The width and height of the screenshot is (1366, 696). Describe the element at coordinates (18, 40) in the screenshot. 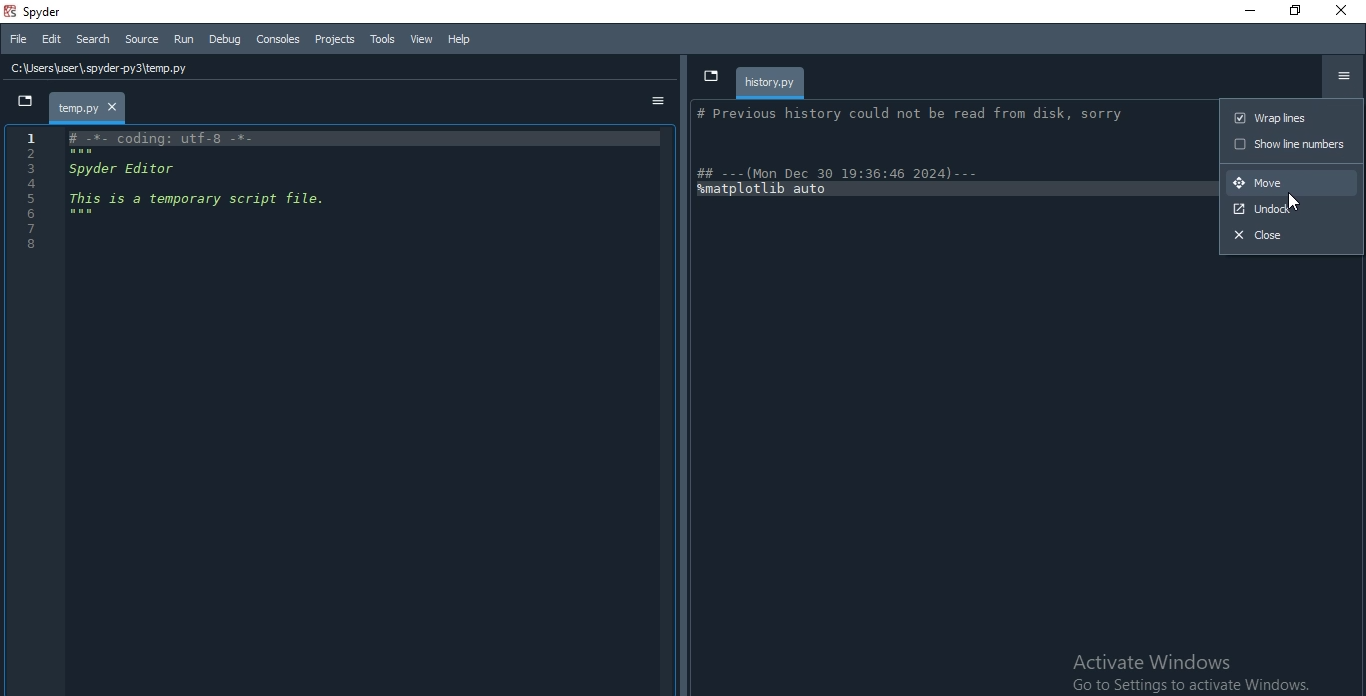

I see `File ` at that location.